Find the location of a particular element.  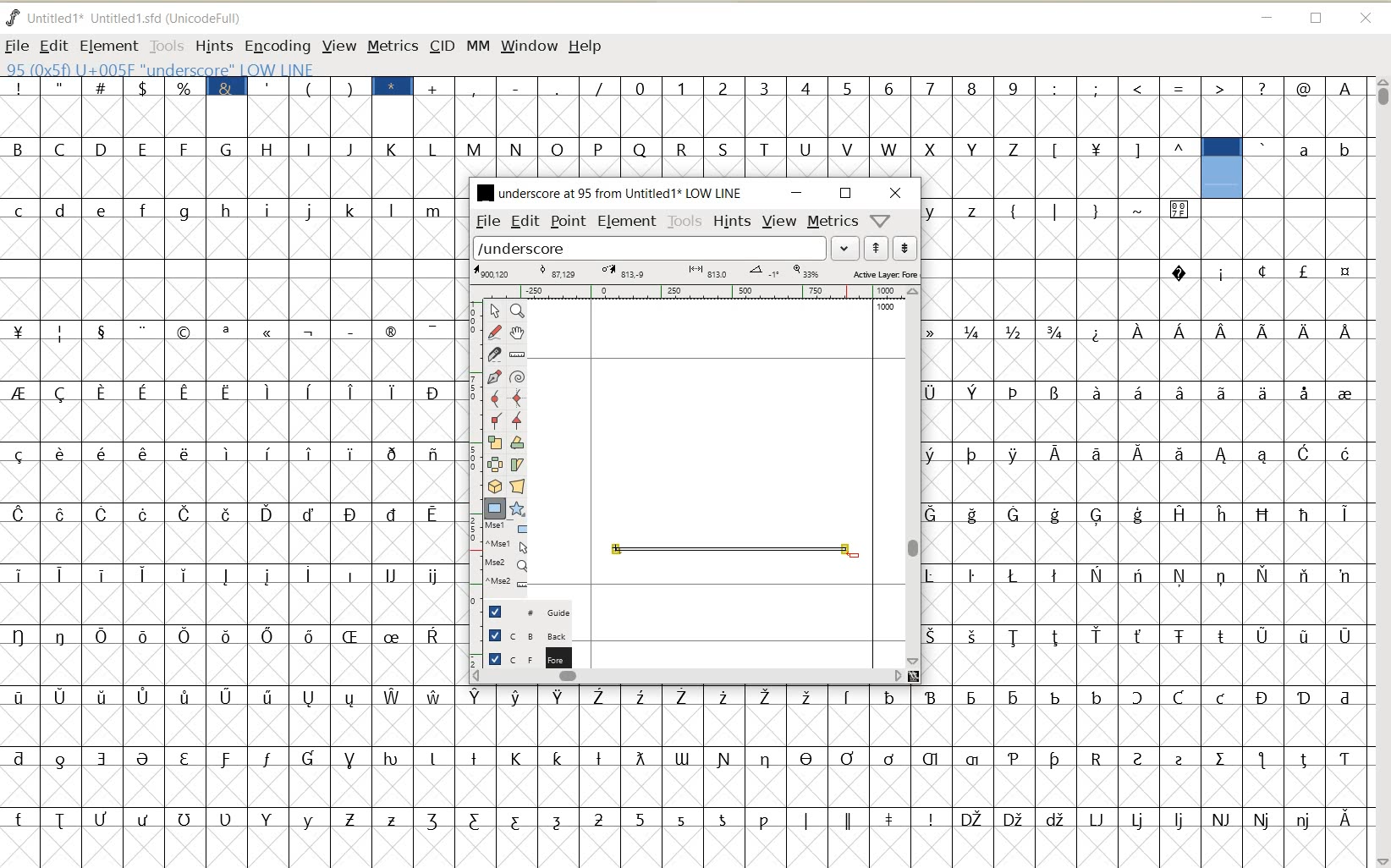

HINTS is located at coordinates (732, 221).